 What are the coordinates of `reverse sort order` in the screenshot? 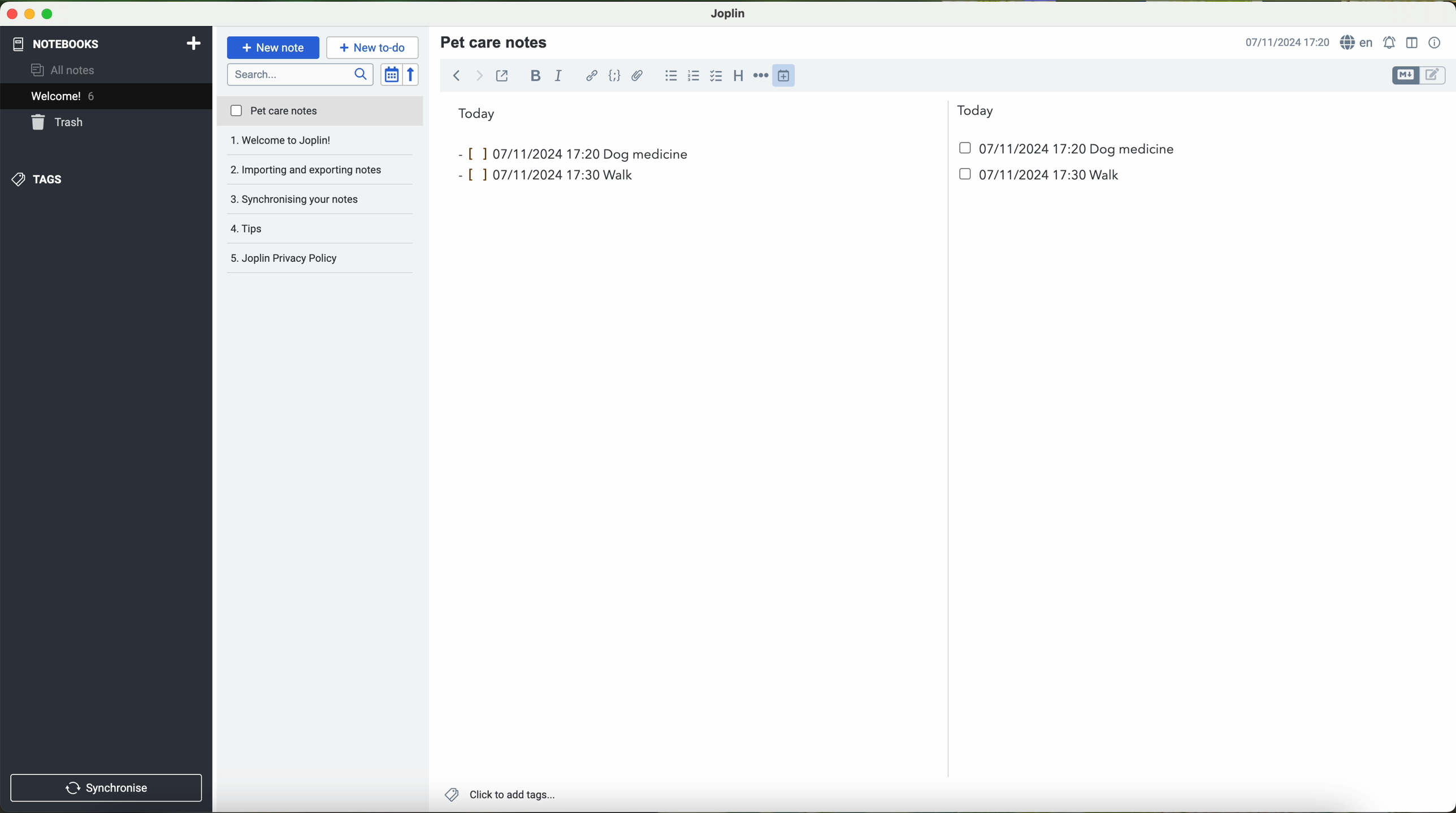 It's located at (414, 75).